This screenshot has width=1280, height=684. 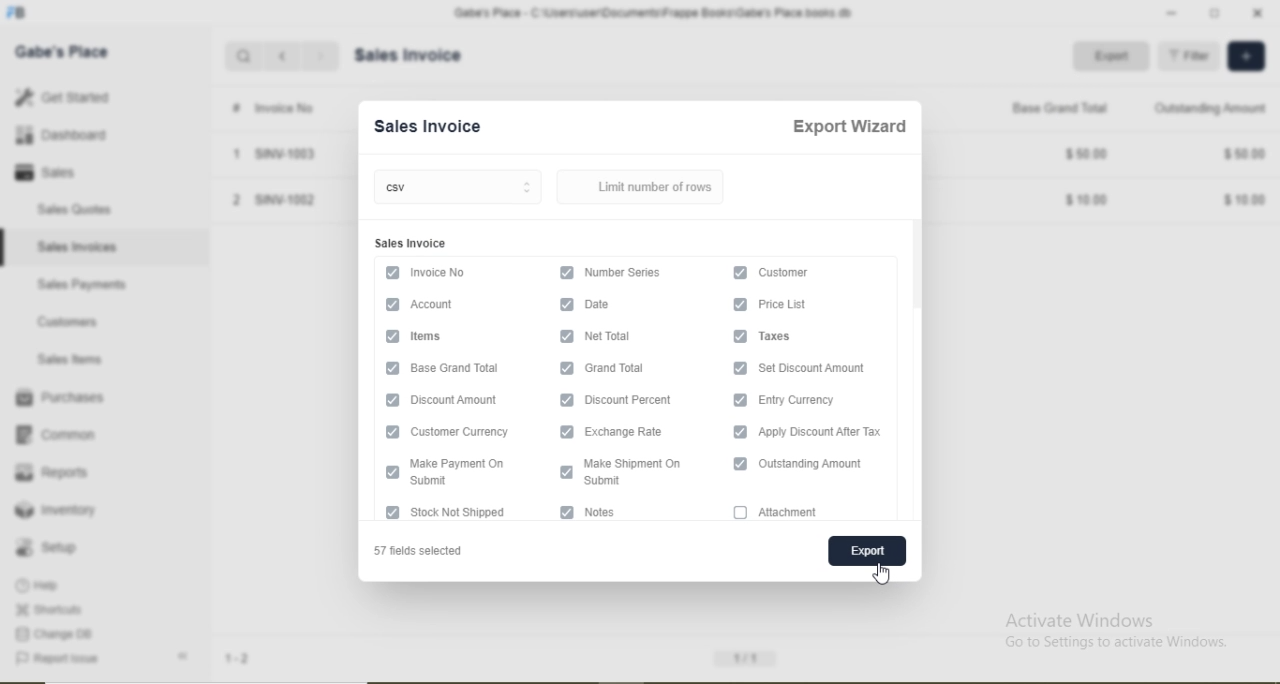 I want to click on Base Grand Total, so click(x=463, y=370).